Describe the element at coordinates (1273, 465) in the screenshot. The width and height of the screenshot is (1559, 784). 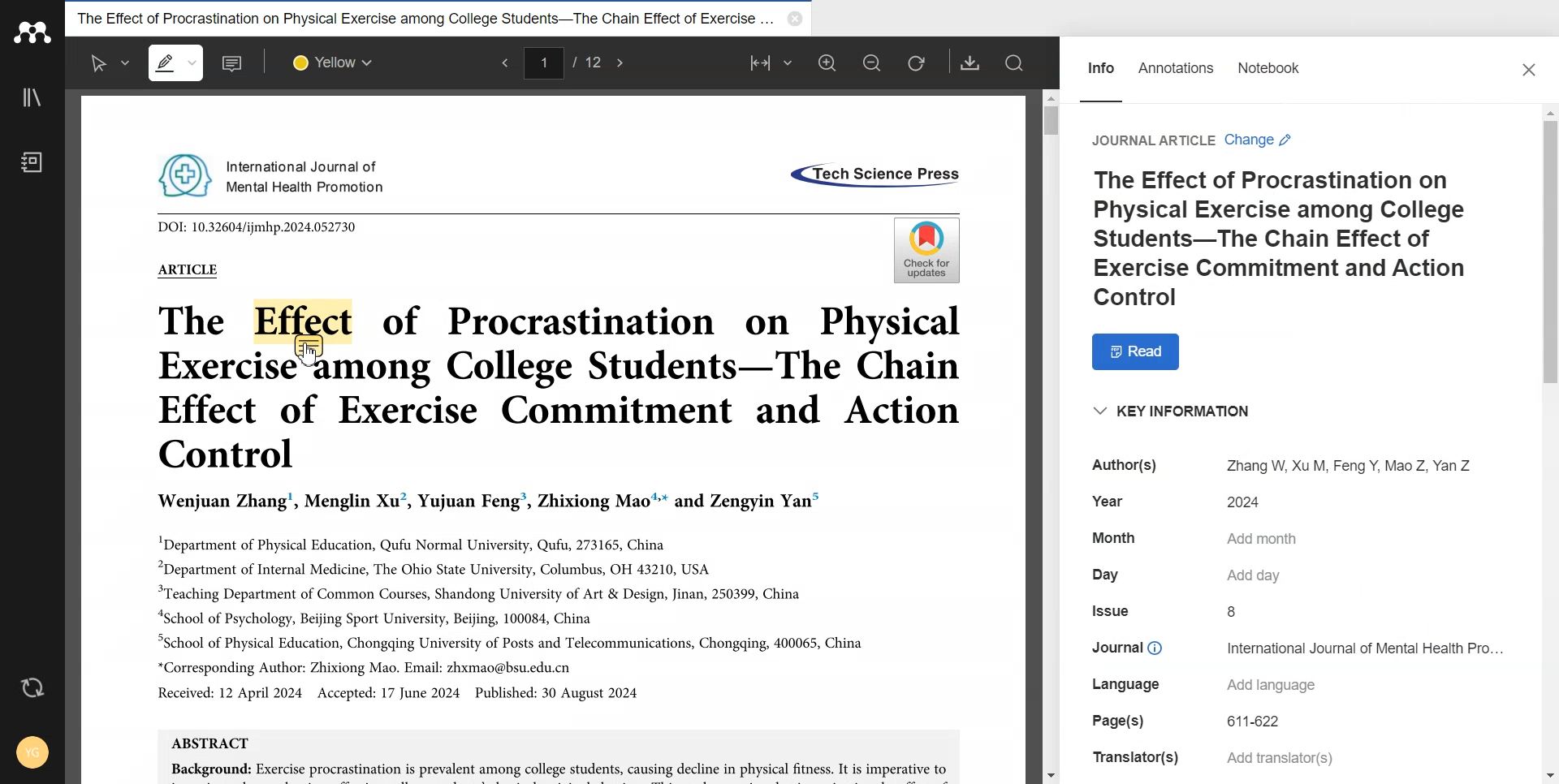
I see `Author(s) Zhang W, Xu M, Feng Y, Mao Z, Yan Z` at that location.